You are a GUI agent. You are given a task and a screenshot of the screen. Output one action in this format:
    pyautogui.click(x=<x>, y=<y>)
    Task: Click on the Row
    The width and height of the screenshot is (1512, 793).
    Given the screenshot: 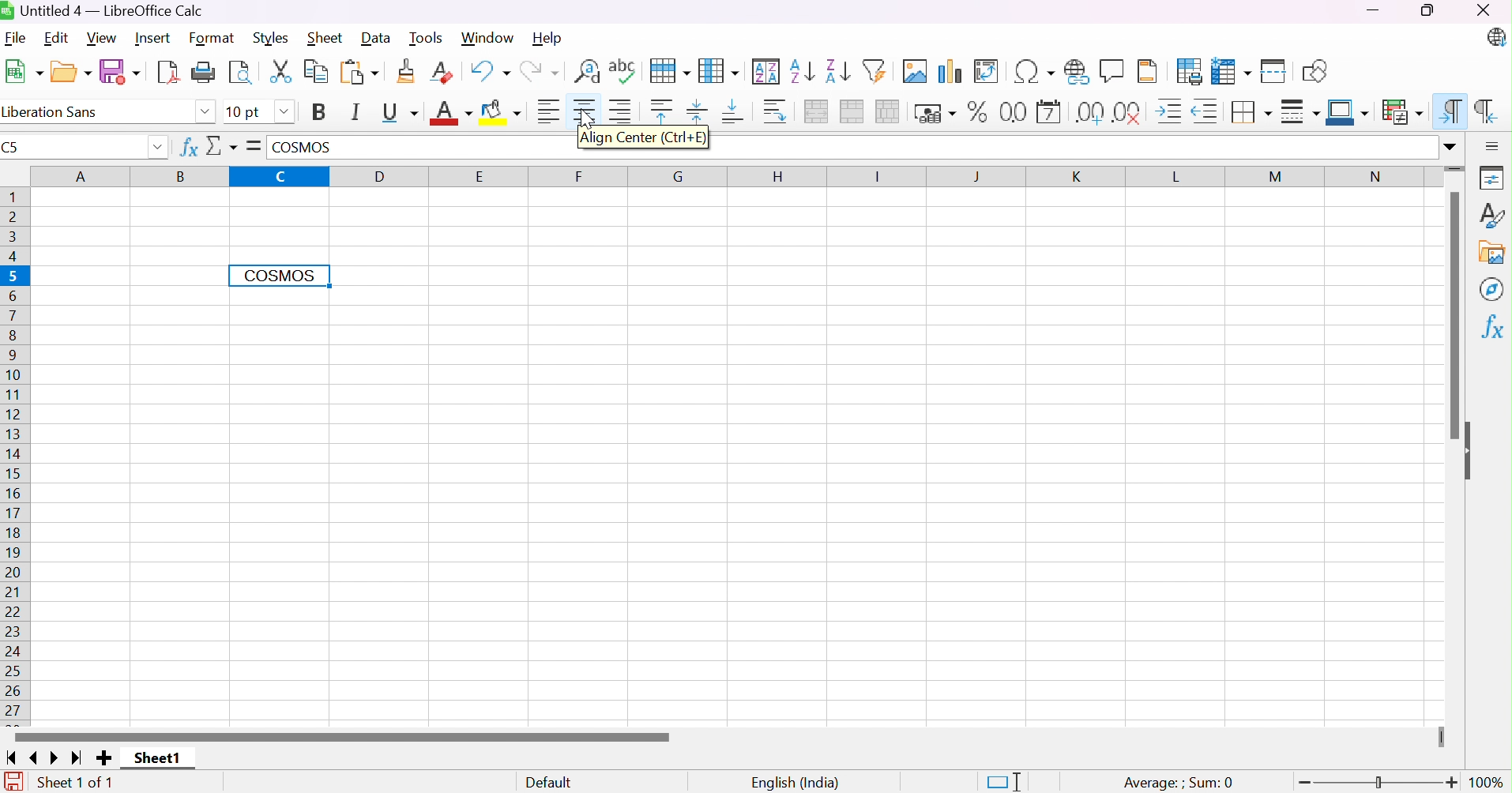 What is the action you would take?
    pyautogui.click(x=670, y=67)
    